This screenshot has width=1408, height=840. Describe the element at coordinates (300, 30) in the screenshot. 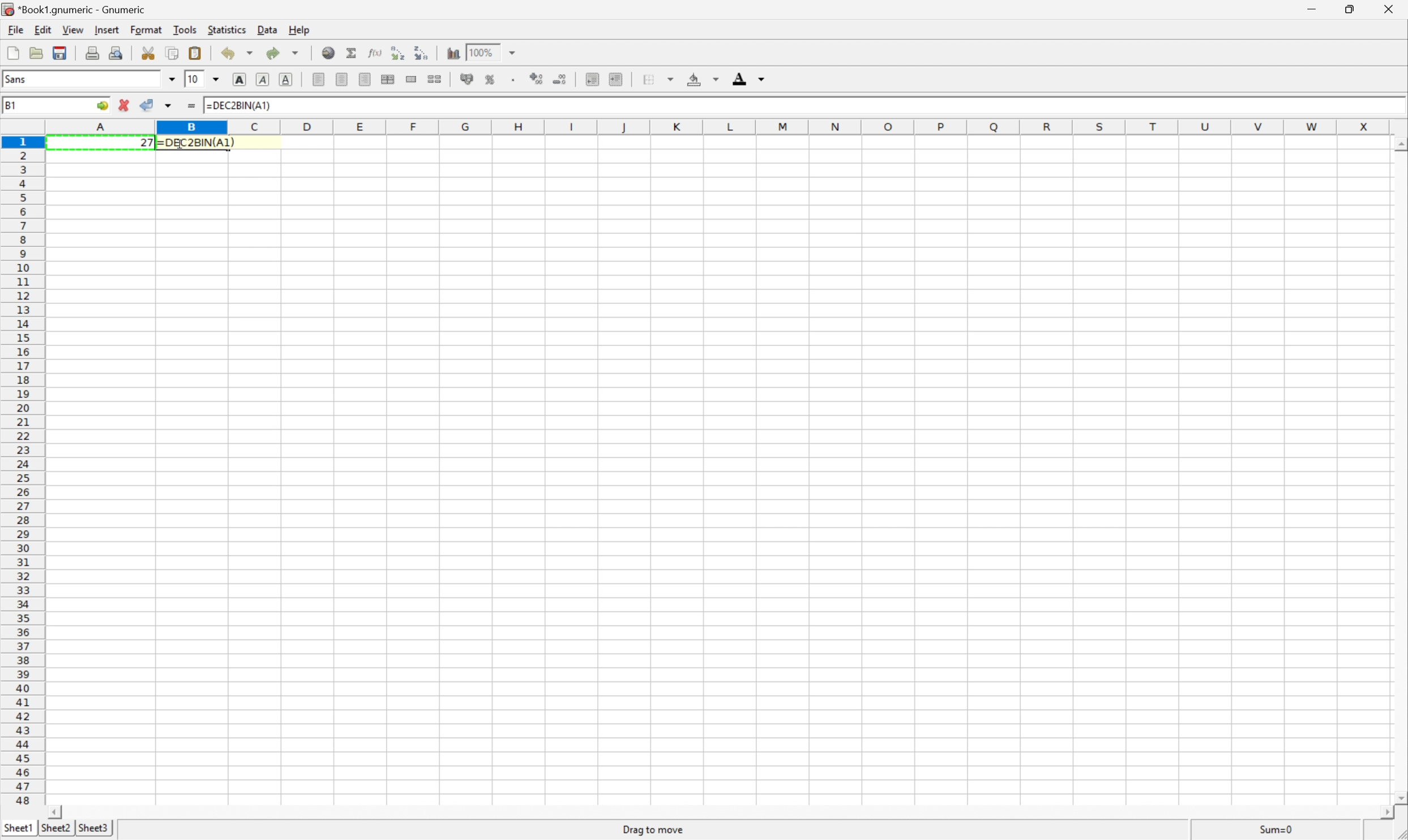

I see `Help` at that location.